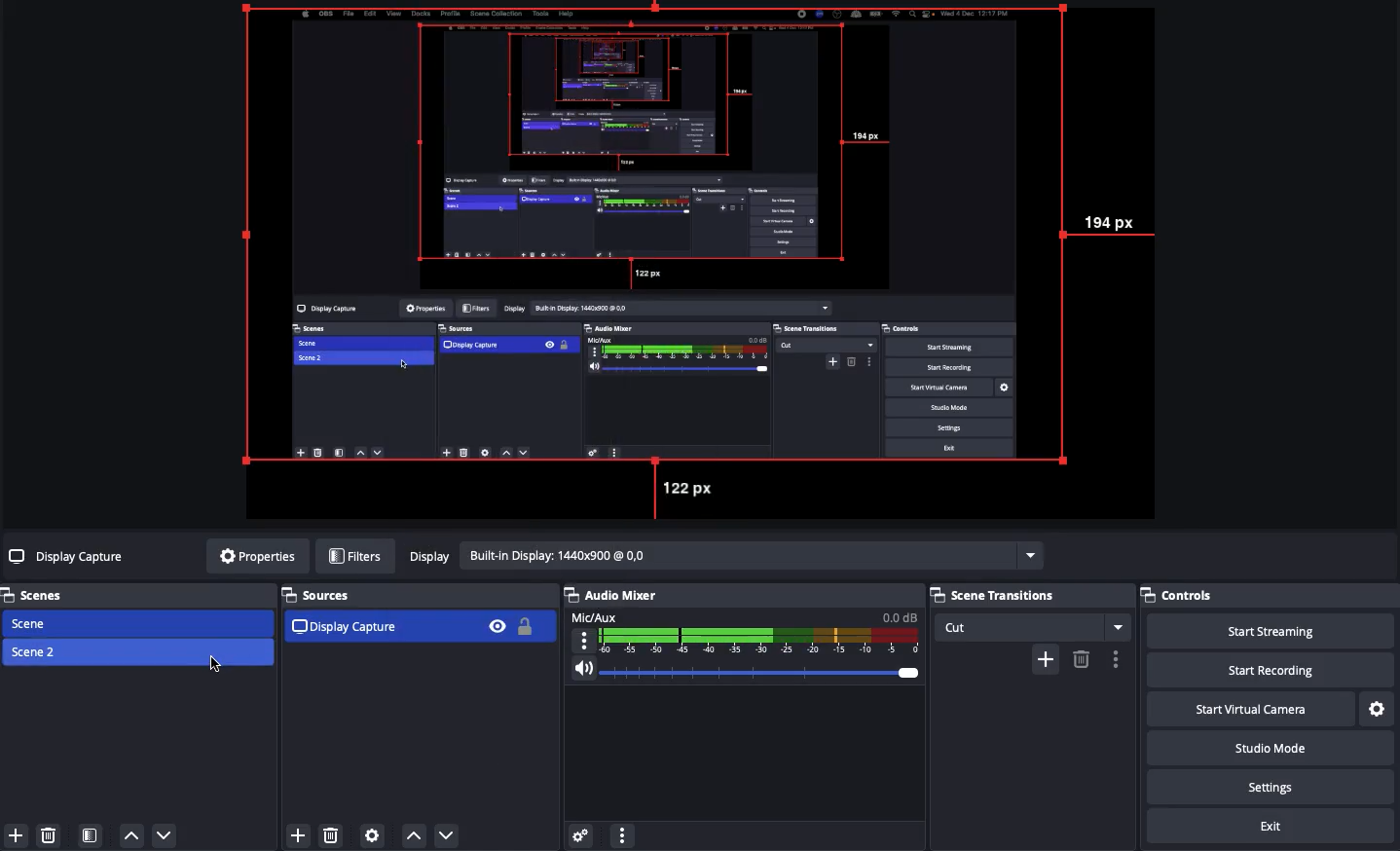  What do you see at coordinates (133, 836) in the screenshot?
I see `Move up` at bounding box center [133, 836].